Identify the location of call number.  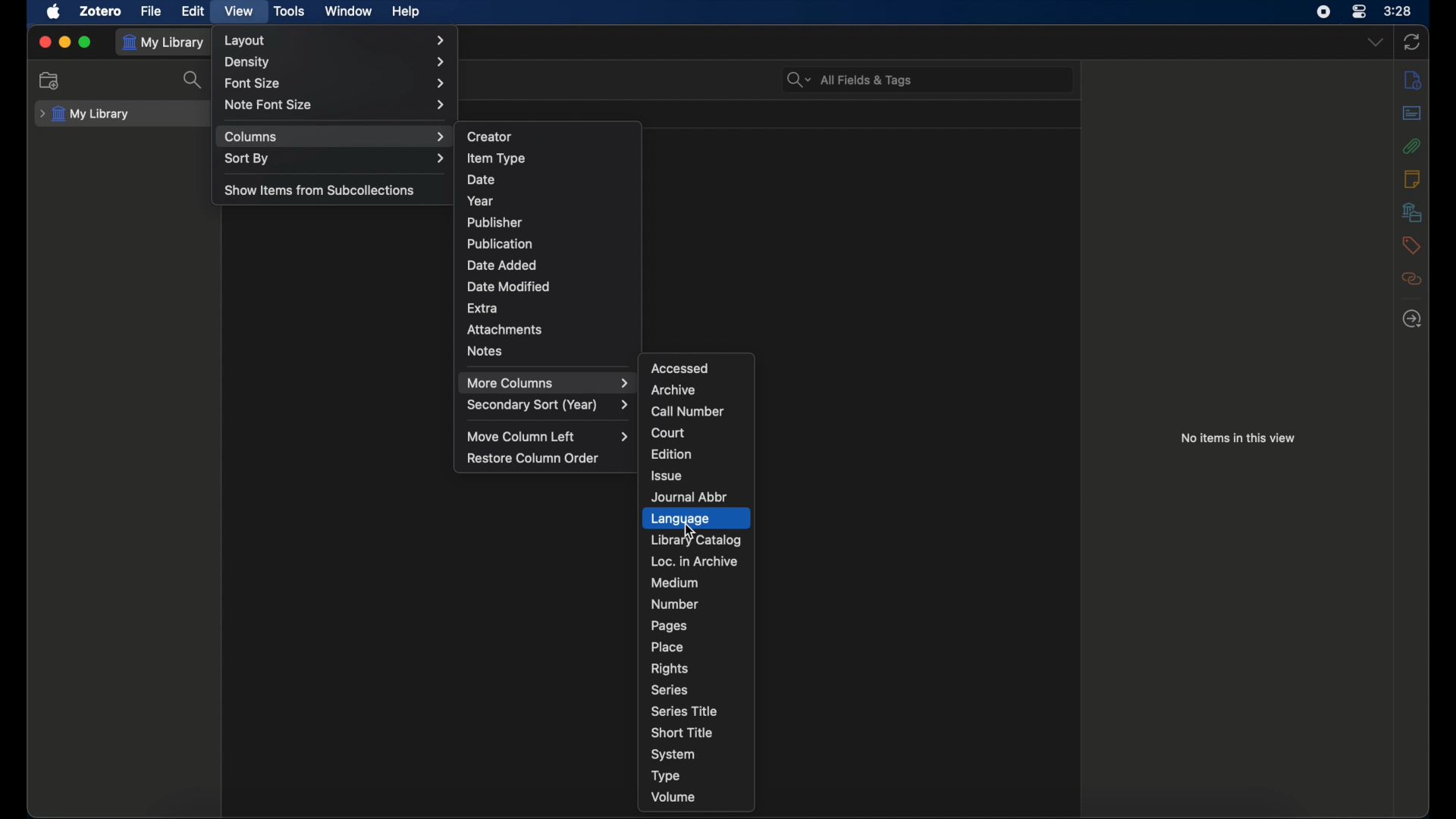
(688, 412).